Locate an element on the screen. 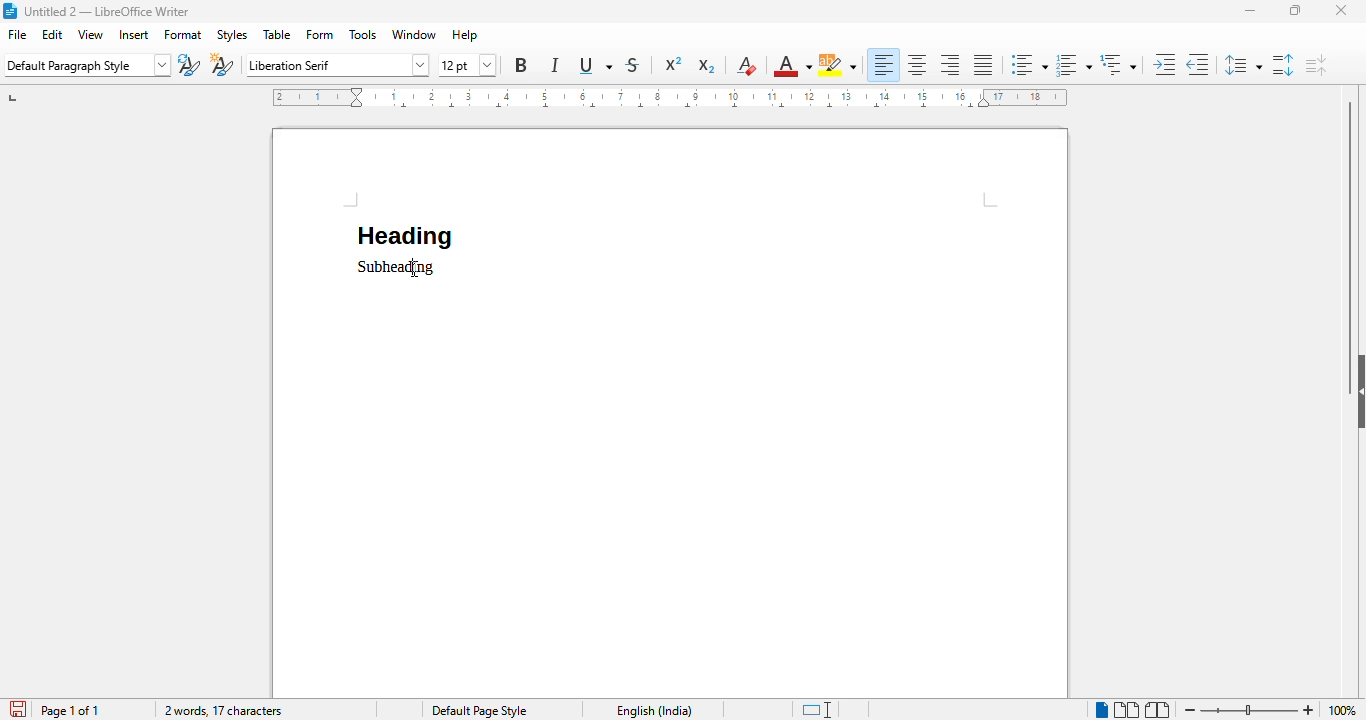 The image size is (1366, 720). align center is located at coordinates (918, 65).